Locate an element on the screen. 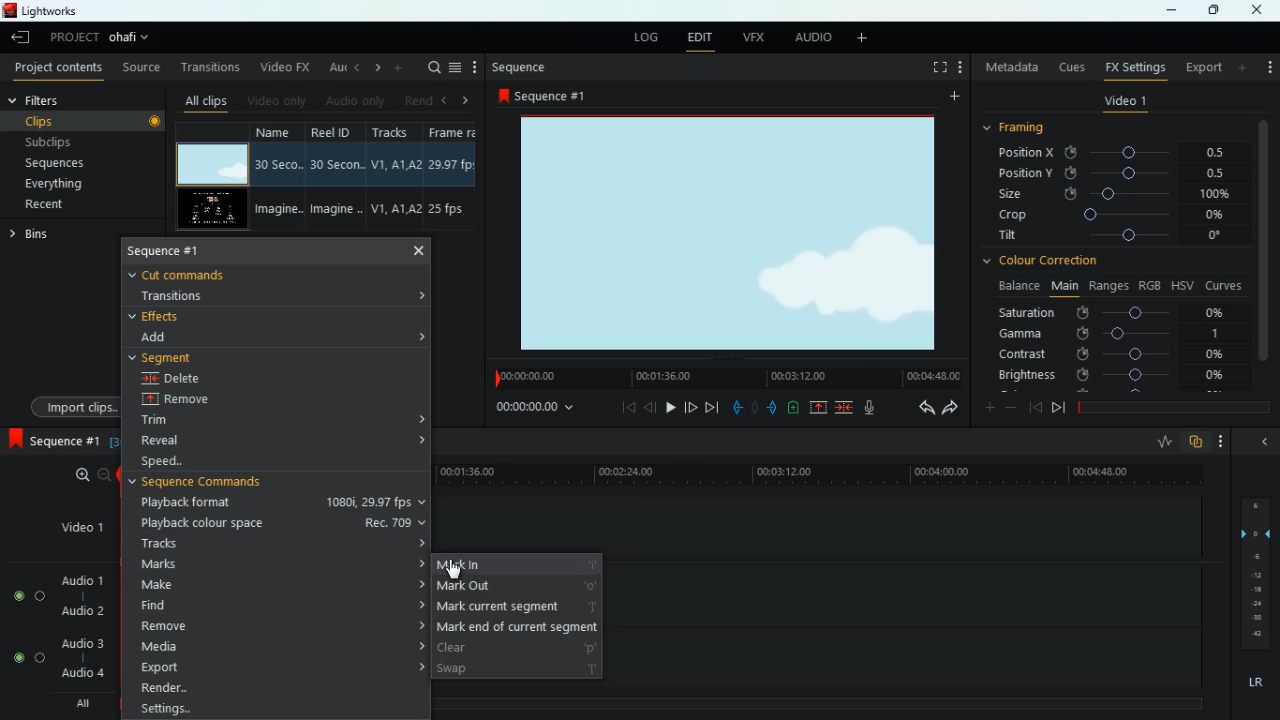 The image size is (1280, 720).  is located at coordinates (155, 123).